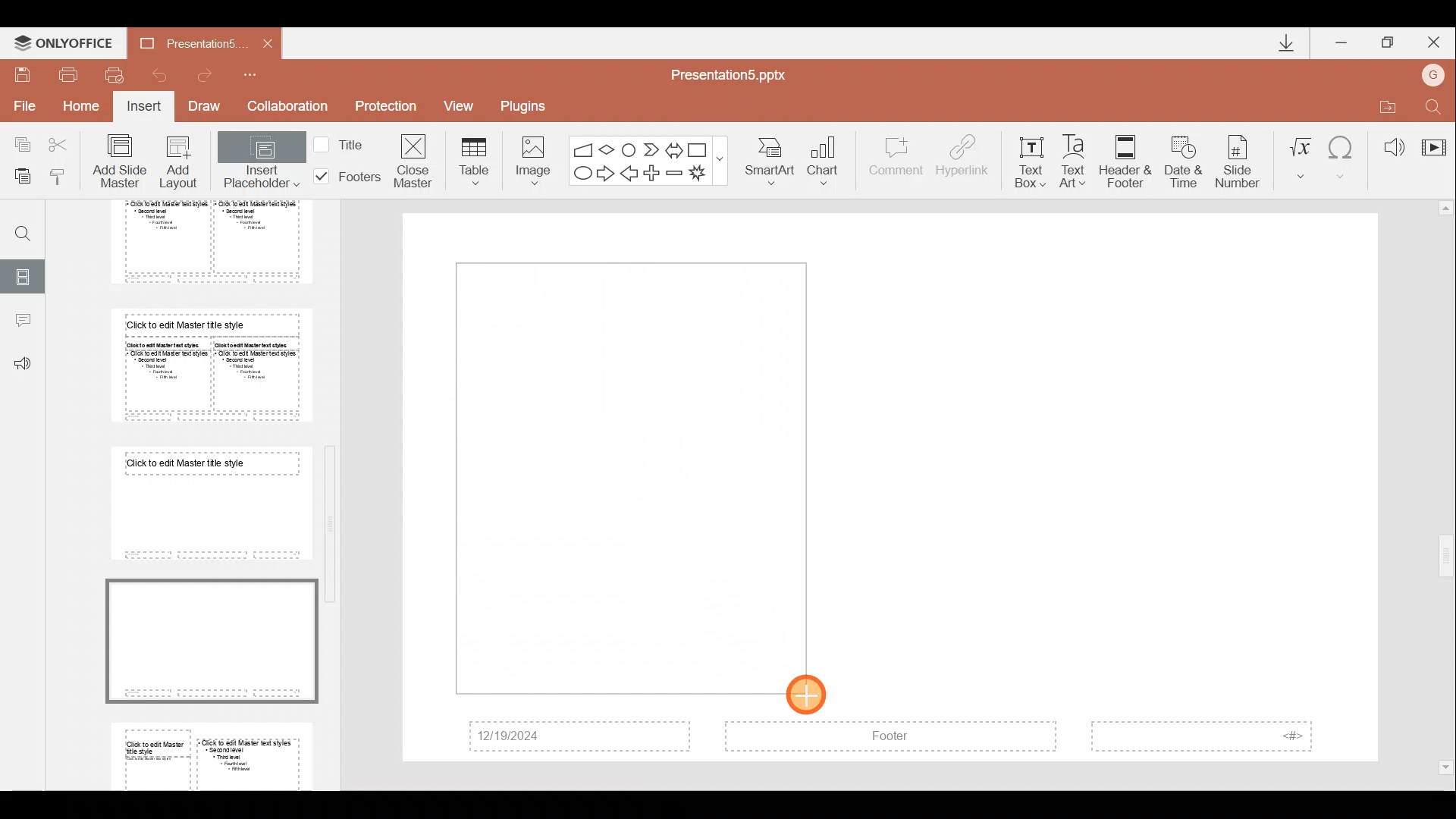 This screenshot has width=1456, height=819. What do you see at coordinates (24, 275) in the screenshot?
I see `Slides` at bounding box center [24, 275].